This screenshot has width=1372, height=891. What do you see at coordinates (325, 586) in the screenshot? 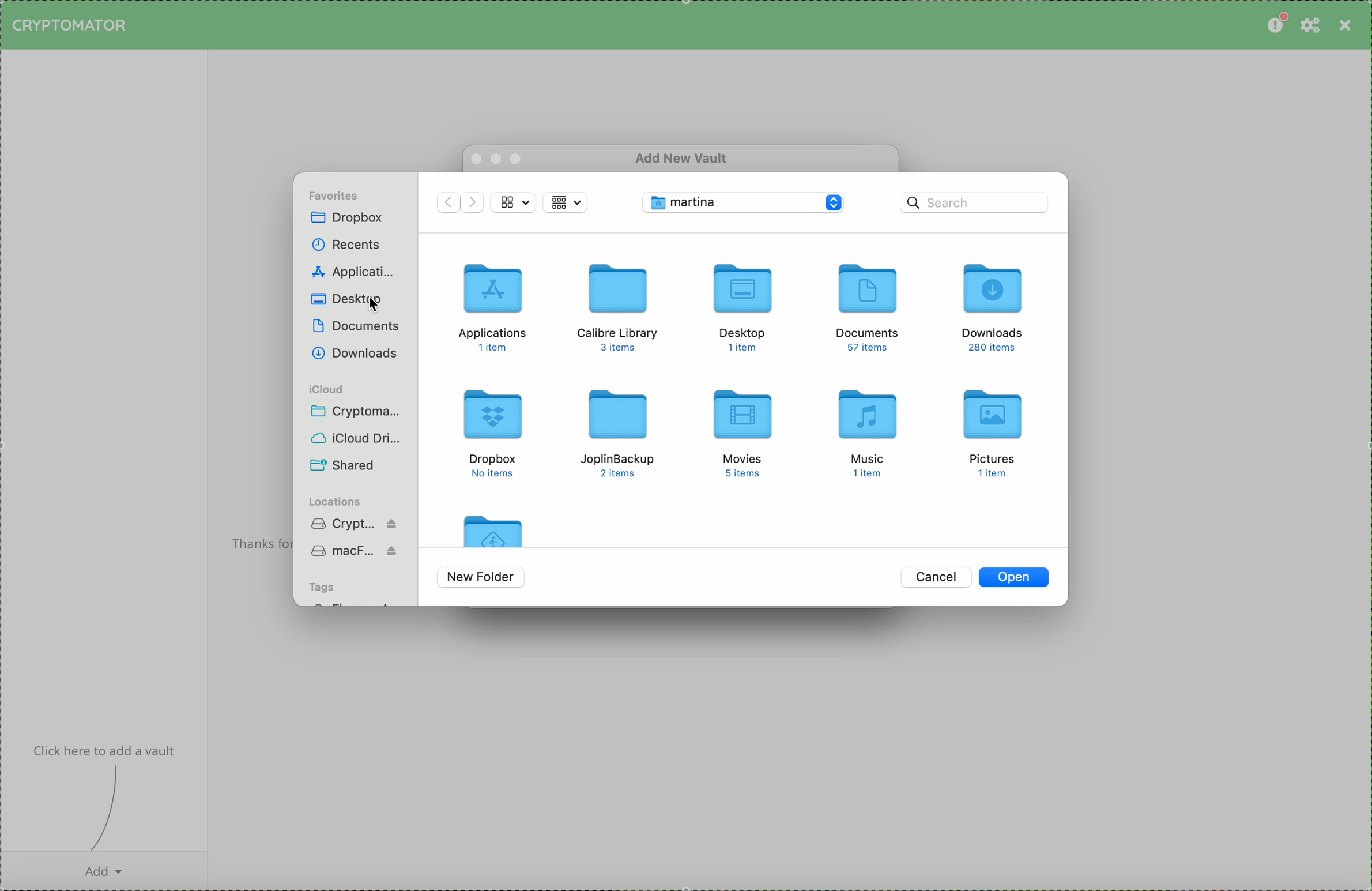
I see `tags` at bounding box center [325, 586].